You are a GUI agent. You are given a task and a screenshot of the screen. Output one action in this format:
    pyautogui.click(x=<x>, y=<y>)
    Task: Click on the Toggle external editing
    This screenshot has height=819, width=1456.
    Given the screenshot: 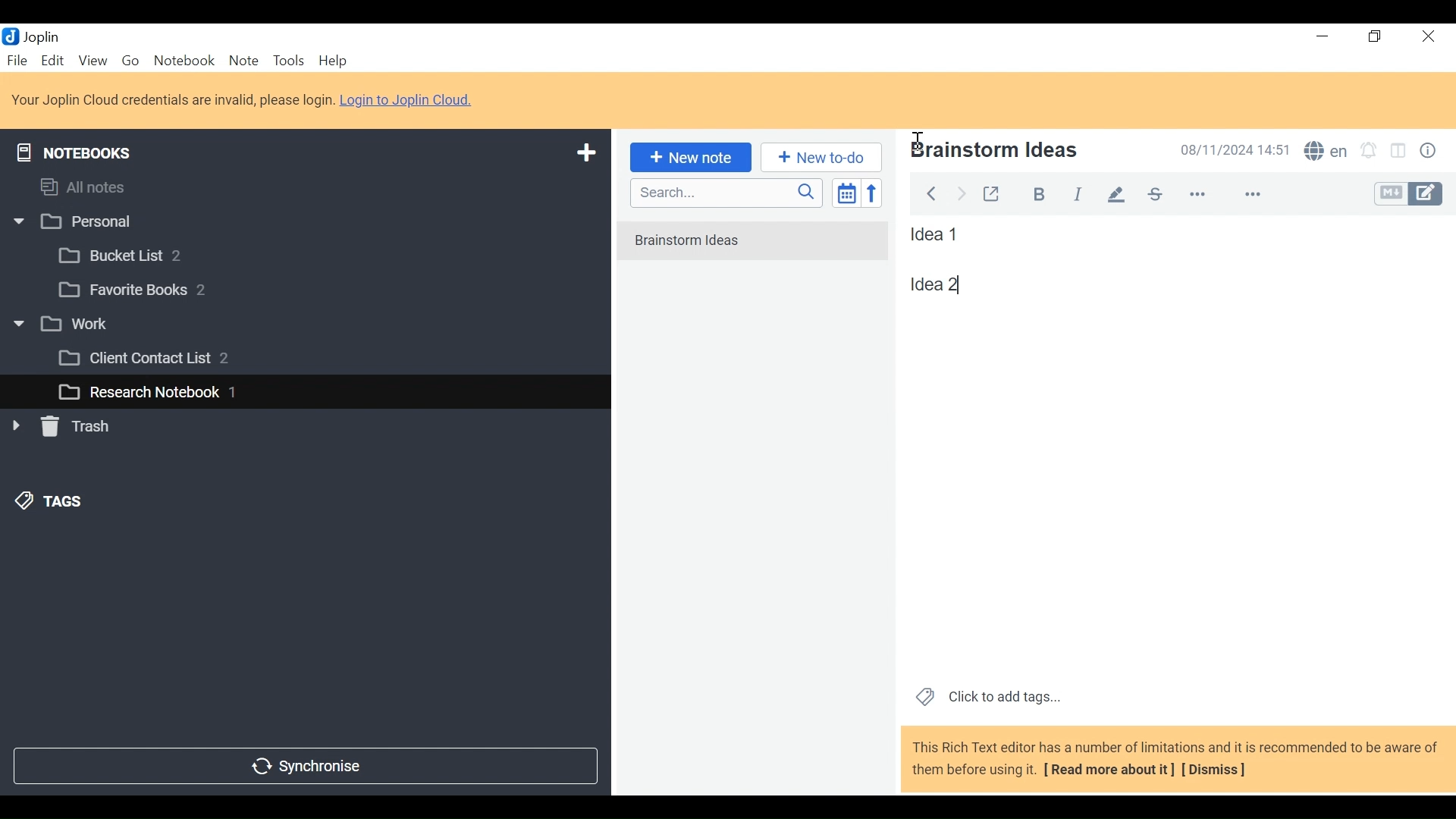 What is the action you would take?
    pyautogui.click(x=991, y=191)
    